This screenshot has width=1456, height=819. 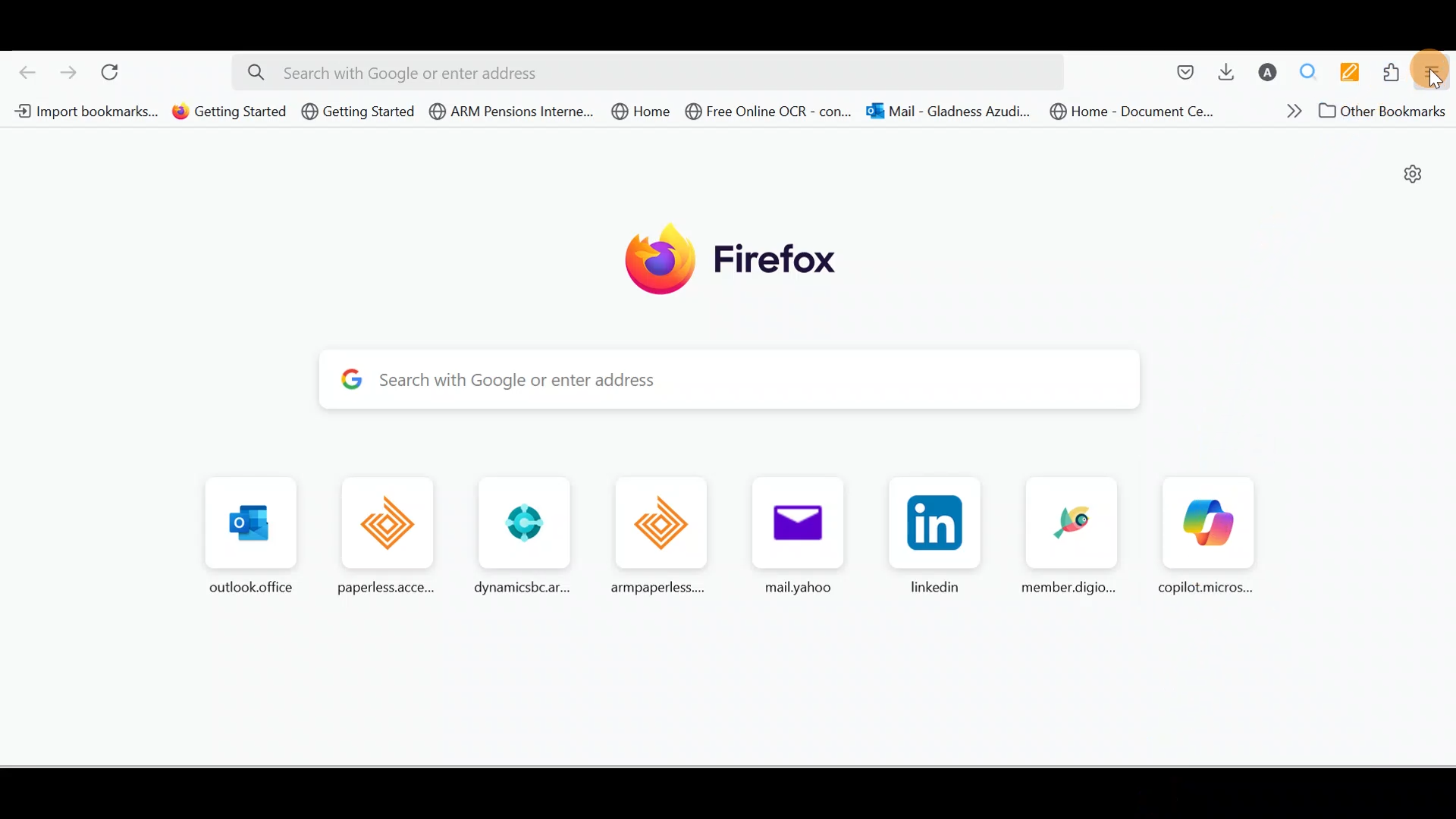 I want to click on Reload current page, so click(x=115, y=71).